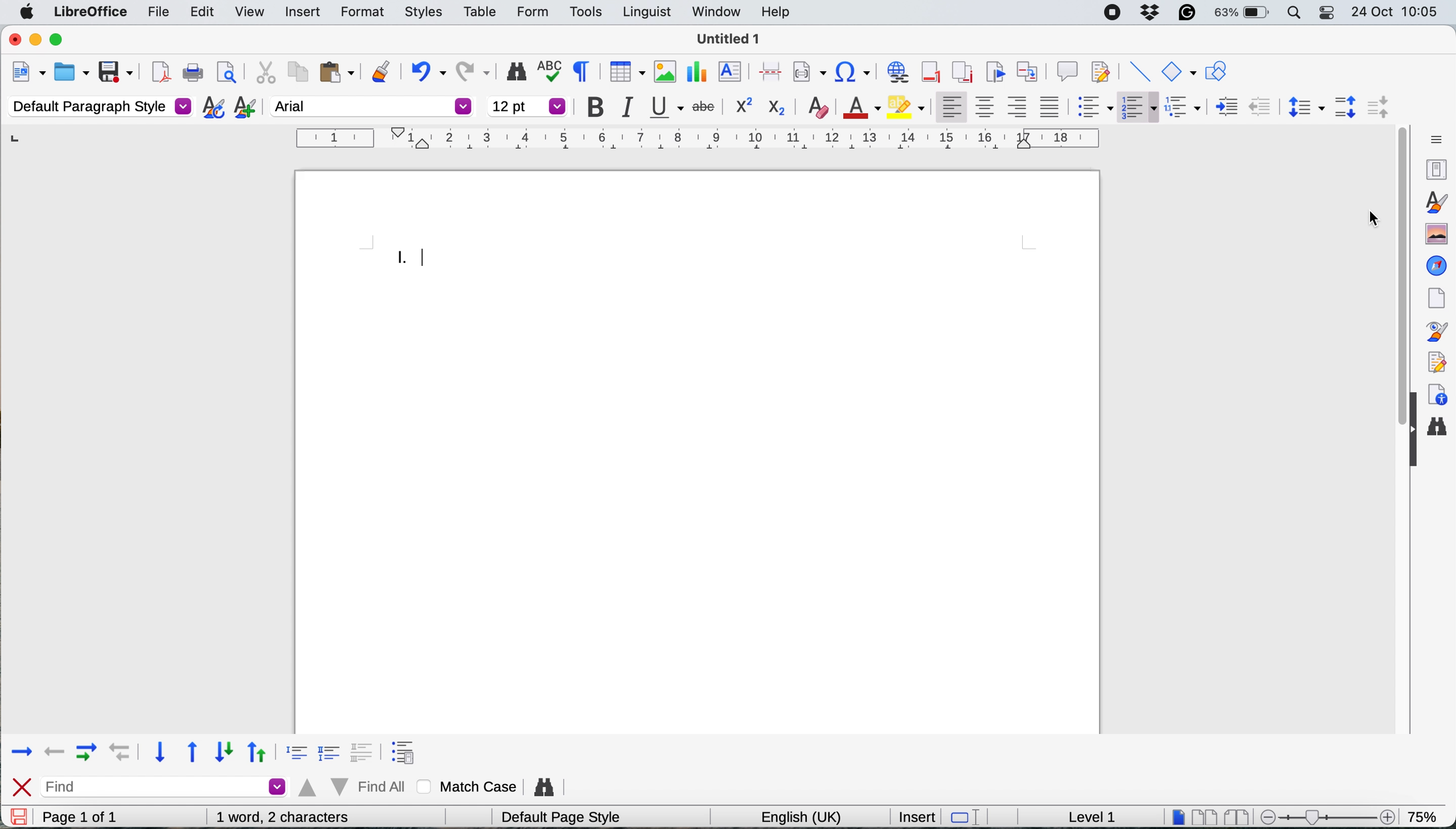 This screenshot has height=829, width=1456. What do you see at coordinates (1261, 105) in the screenshot?
I see `increase indent` at bounding box center [1261, 105].